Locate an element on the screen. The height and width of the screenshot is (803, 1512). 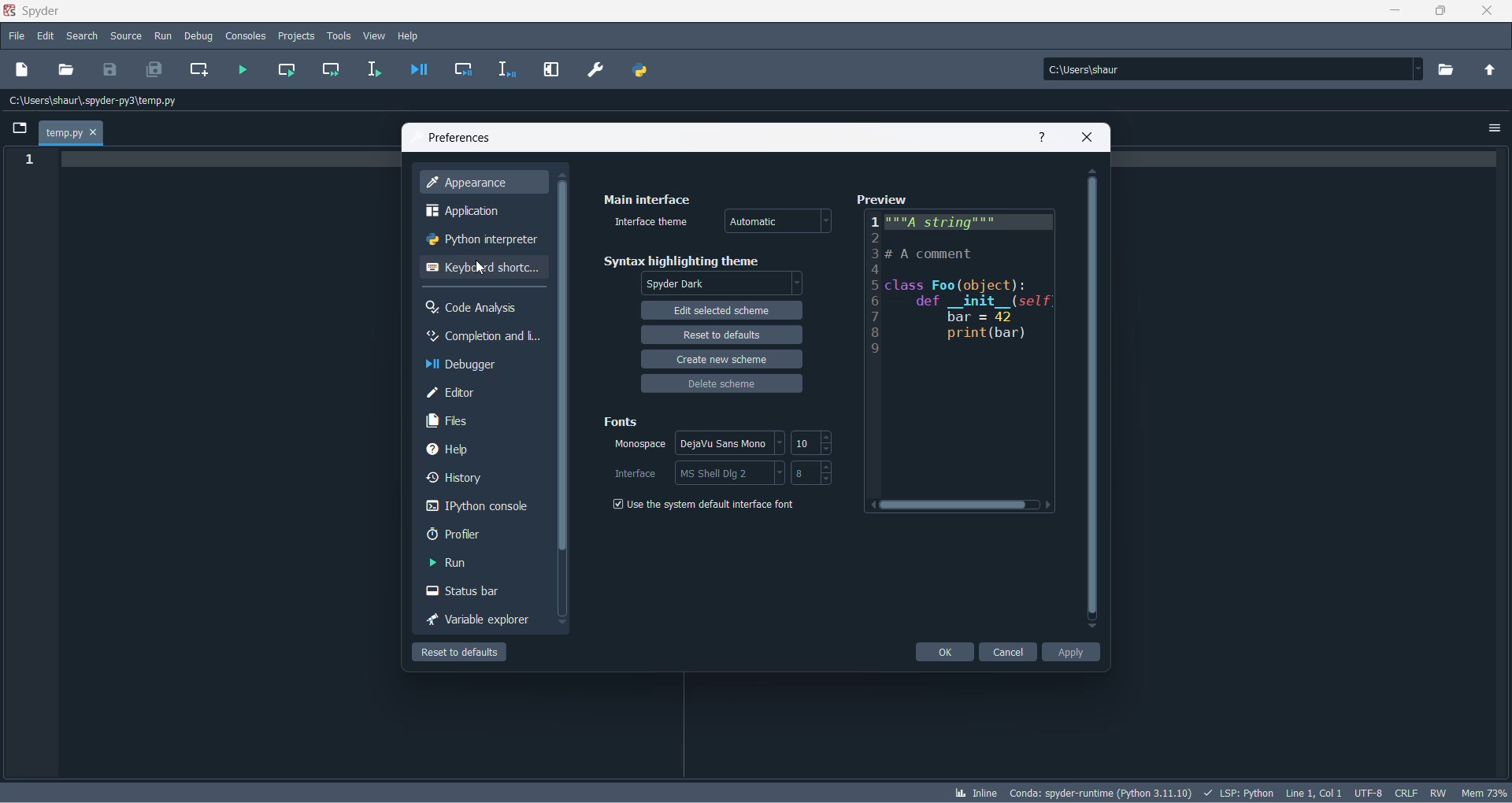
font interface value is located at coordinates (805, 474).